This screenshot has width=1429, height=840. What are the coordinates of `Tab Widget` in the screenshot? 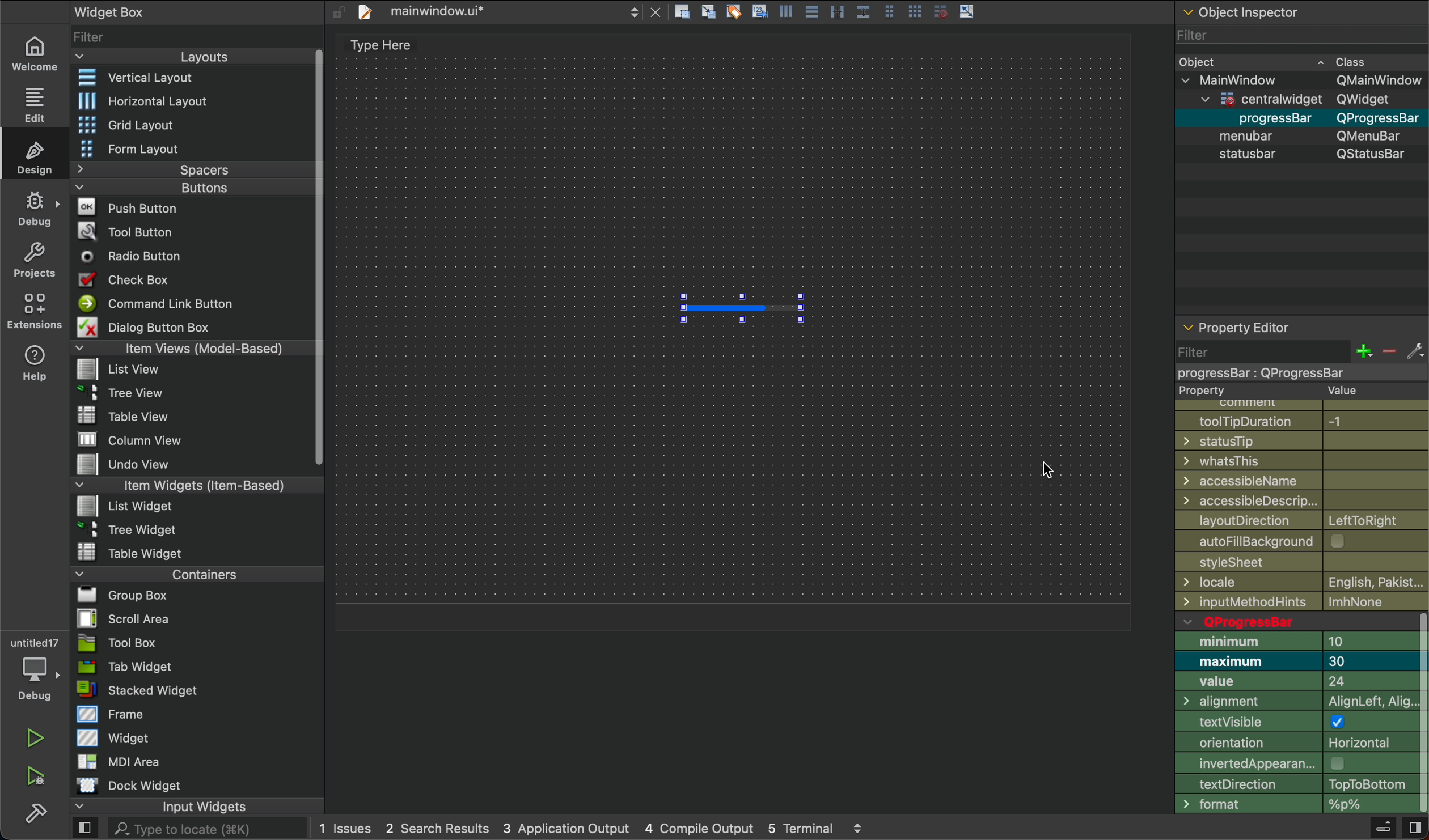 It's located at (122, 667).